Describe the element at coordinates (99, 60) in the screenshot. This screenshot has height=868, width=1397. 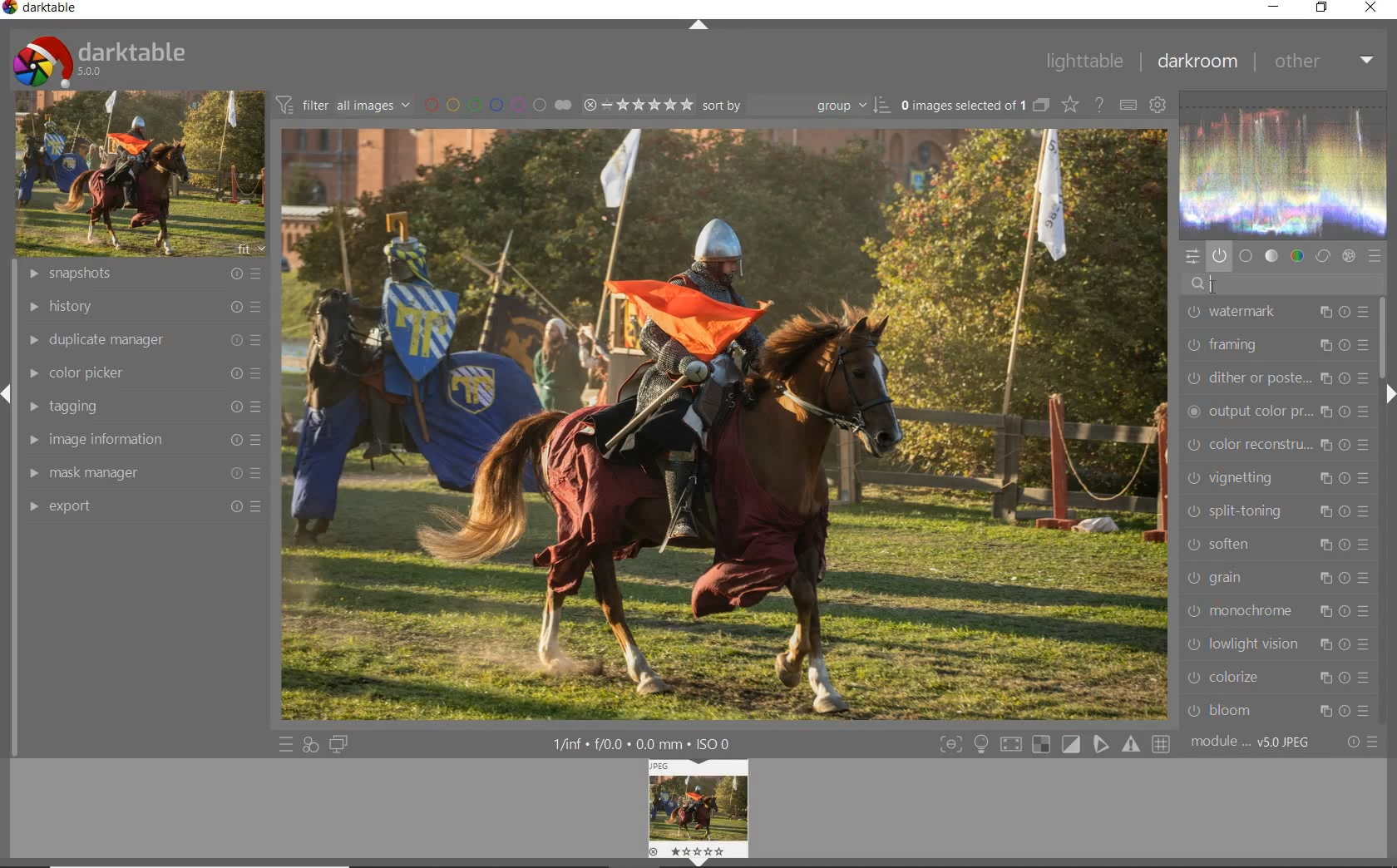
I see `system logo & name` at that location.